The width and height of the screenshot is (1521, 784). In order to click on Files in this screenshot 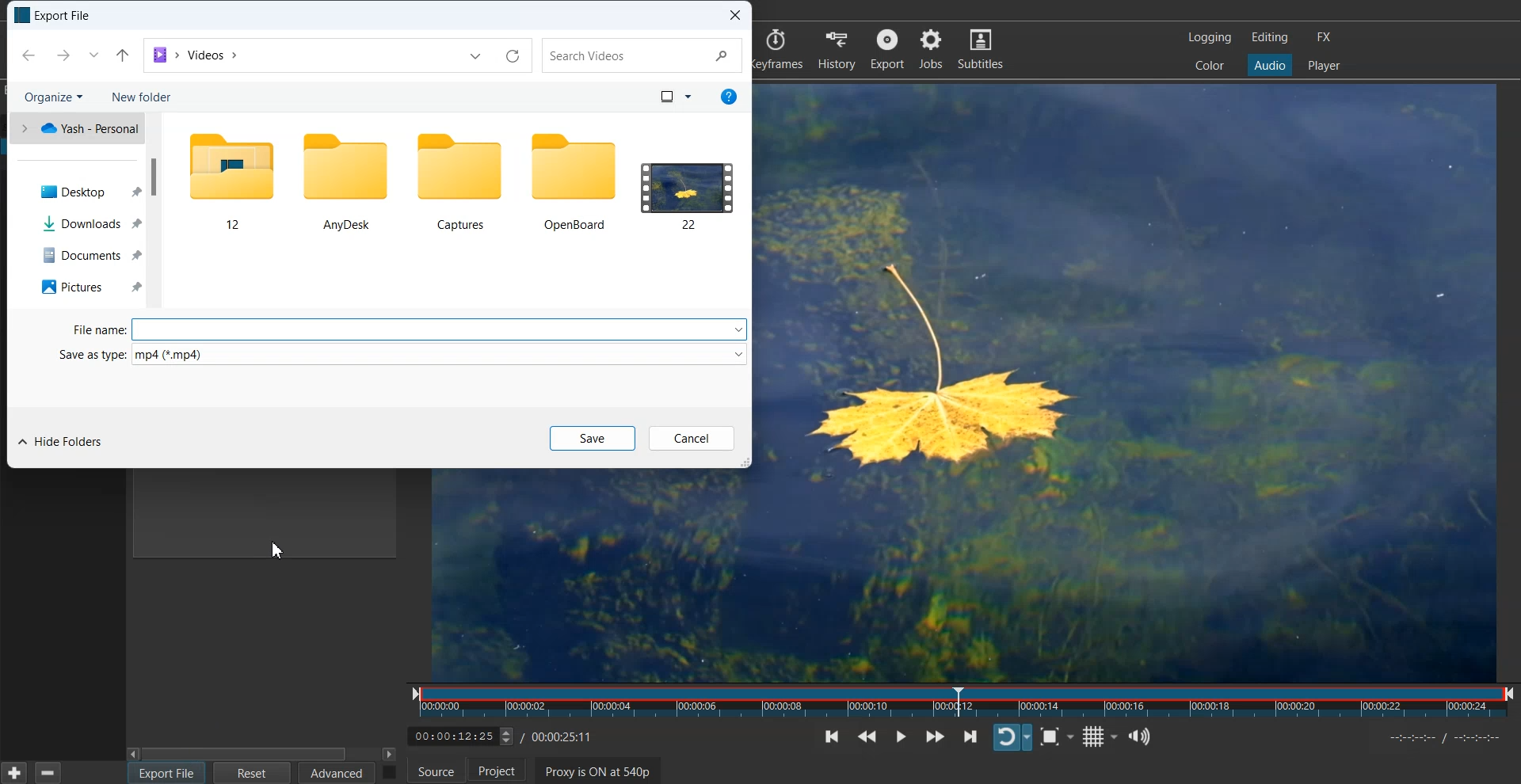, I will do `click(460, 181)`.